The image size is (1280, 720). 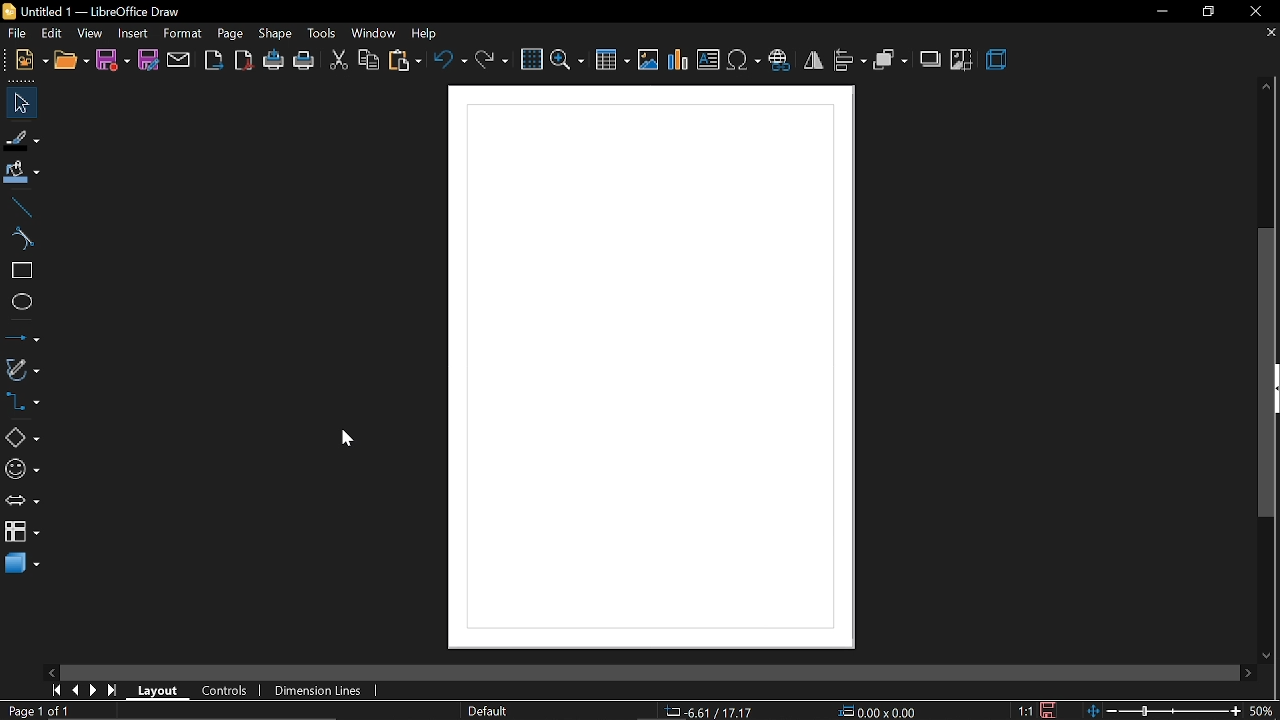 What do you see at coordinates (225, 689) in the screenshot?
I see `controls` at bounding box center [225, 689].